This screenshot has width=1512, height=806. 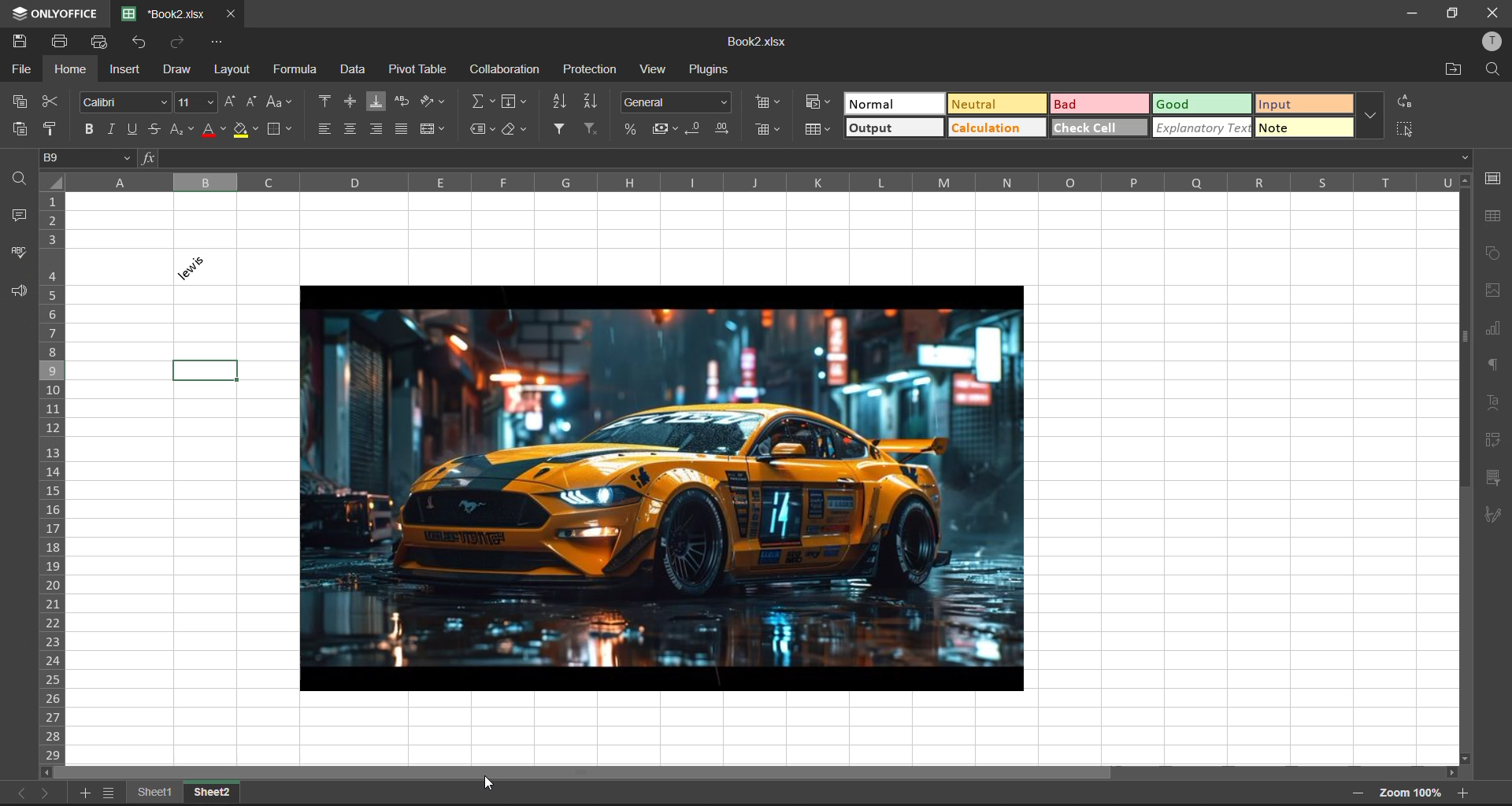 What do you see at coordinates (102, 42) in the screenshot?
I see `quick print` at bounding box center [102, 42].